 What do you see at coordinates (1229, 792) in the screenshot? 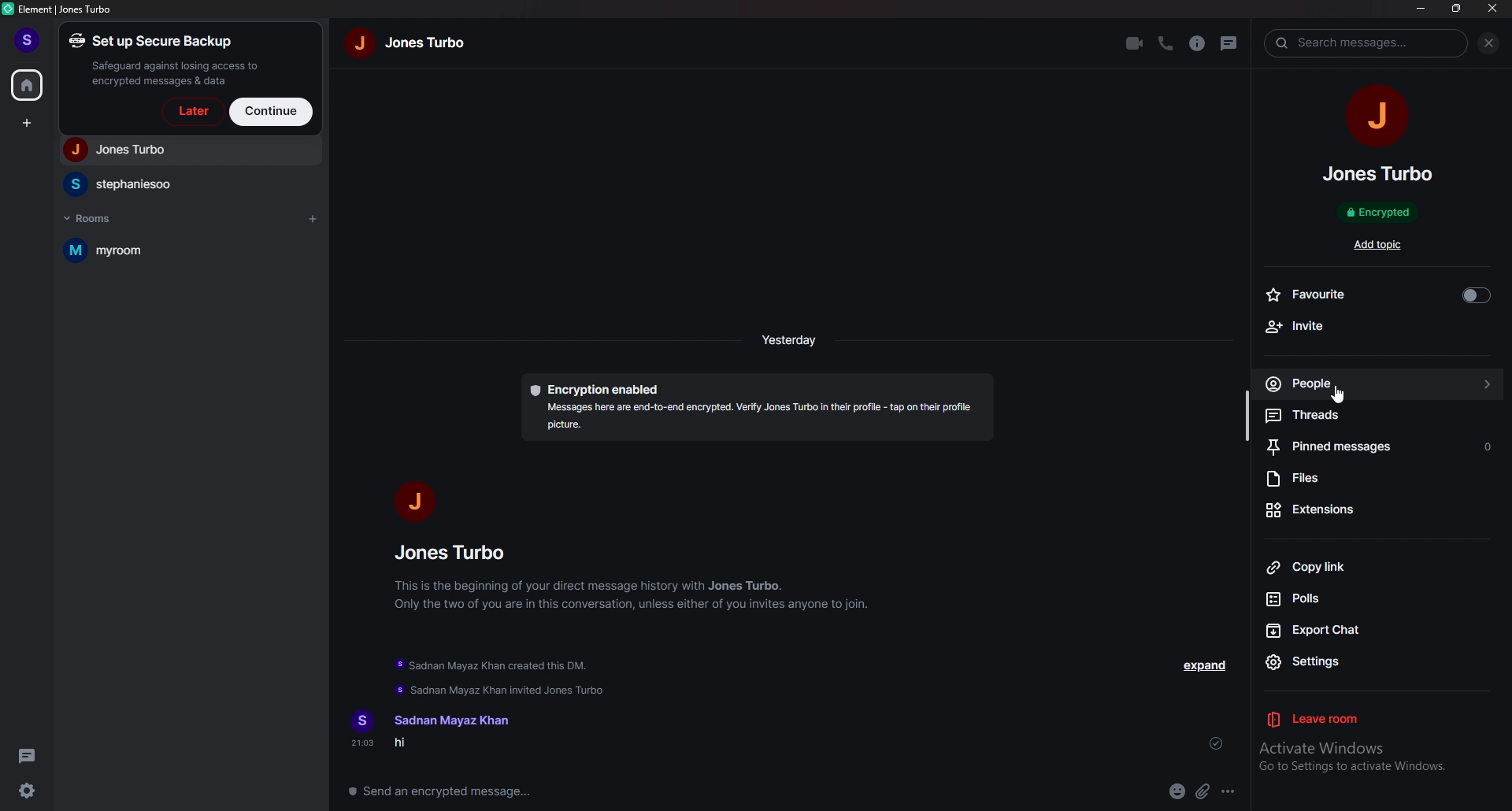
I see `options` at bounding box center [1229, 792].